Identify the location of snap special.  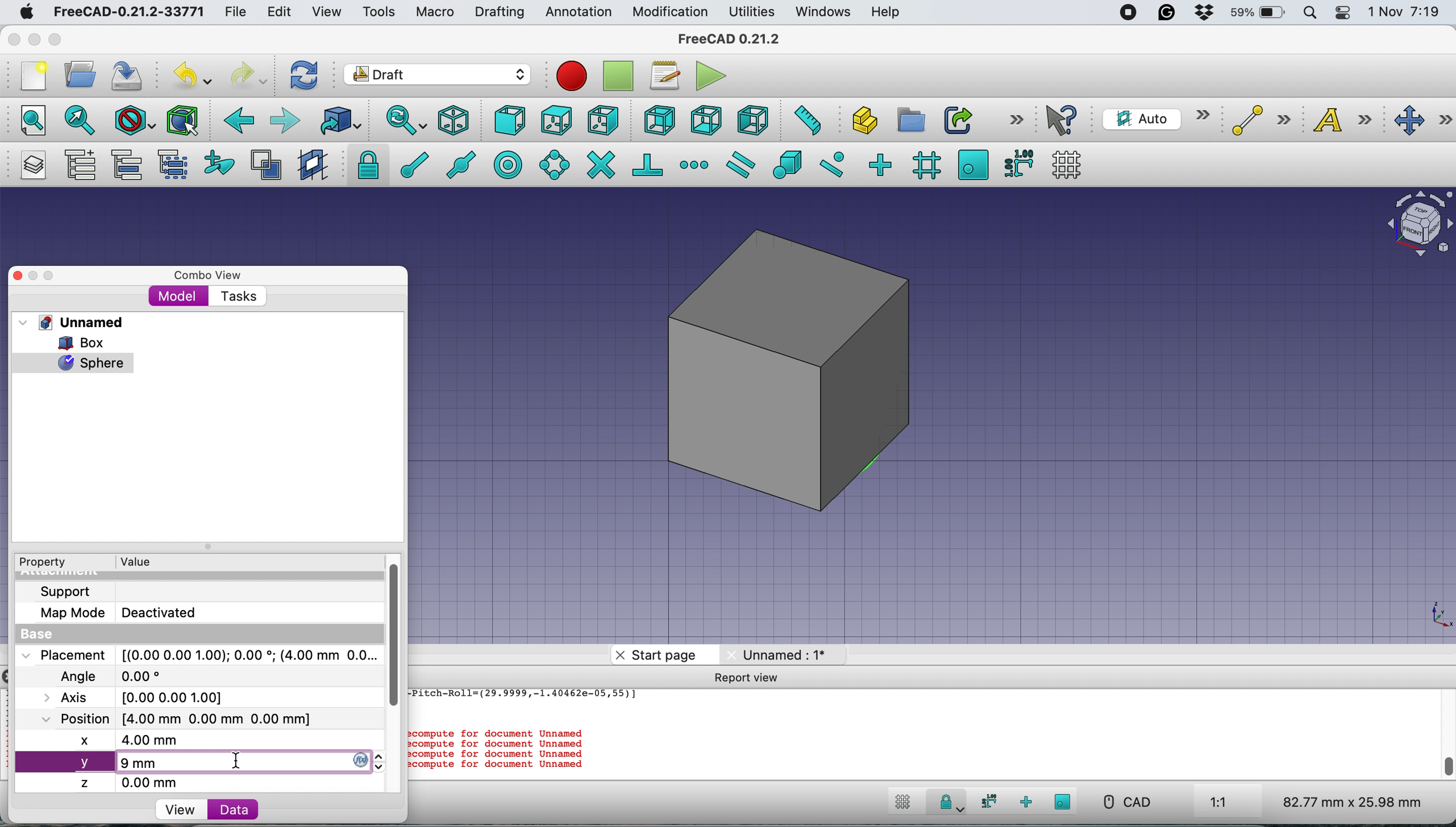
(787, 164).